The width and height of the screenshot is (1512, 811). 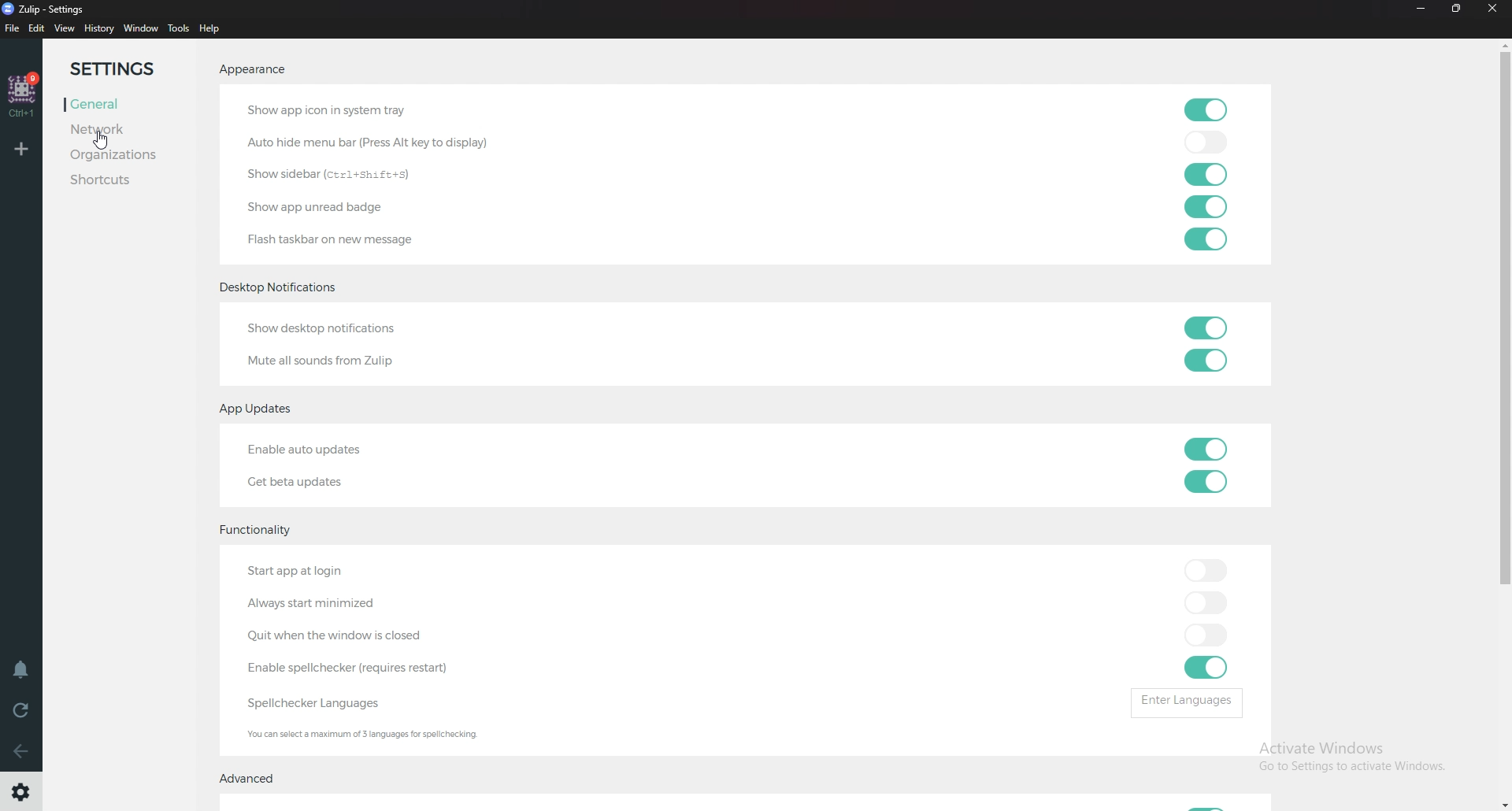 I want to click on advanced, so click(x=255, y=779).